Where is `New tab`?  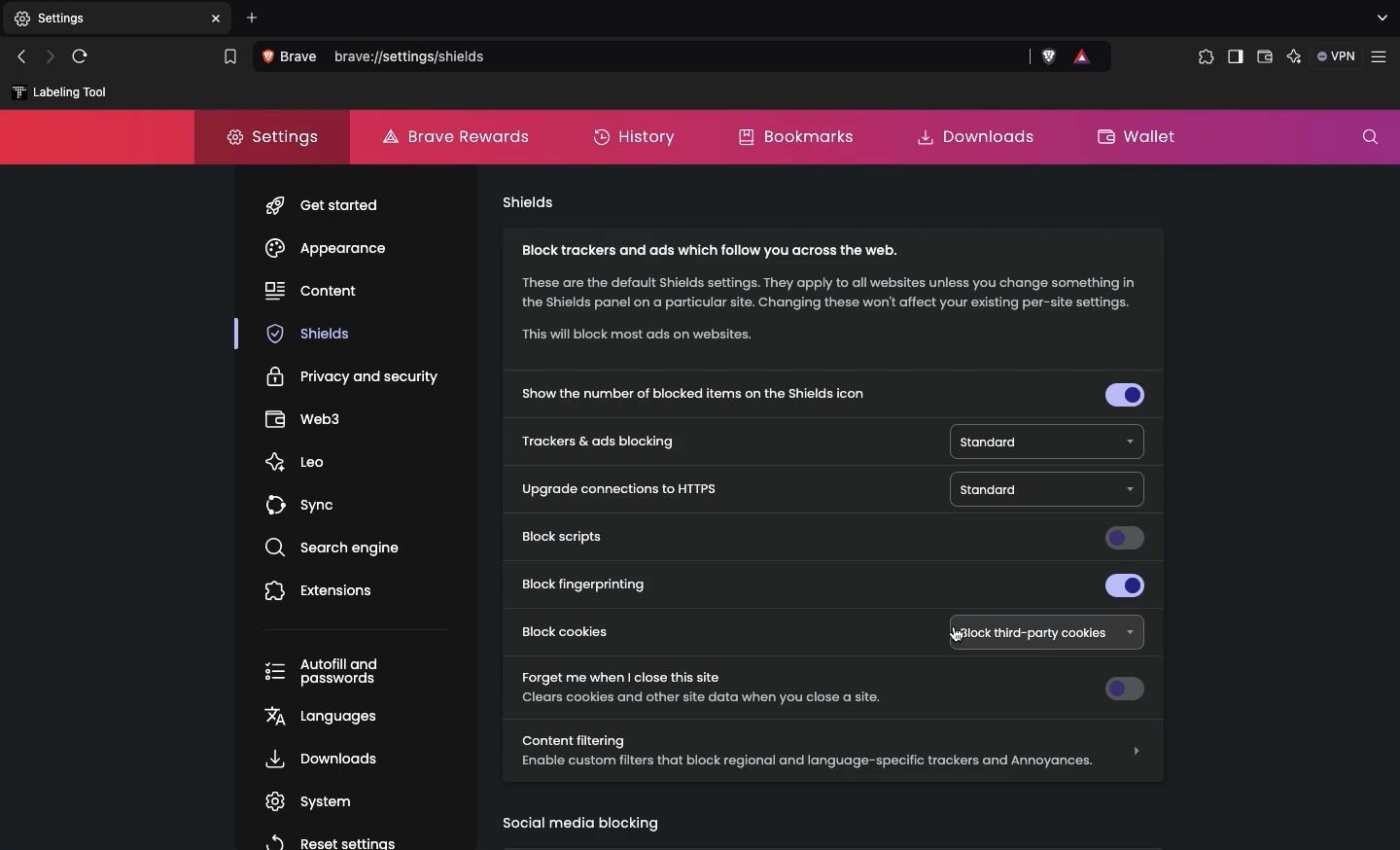
New tab is located at coordinates (46, 20).